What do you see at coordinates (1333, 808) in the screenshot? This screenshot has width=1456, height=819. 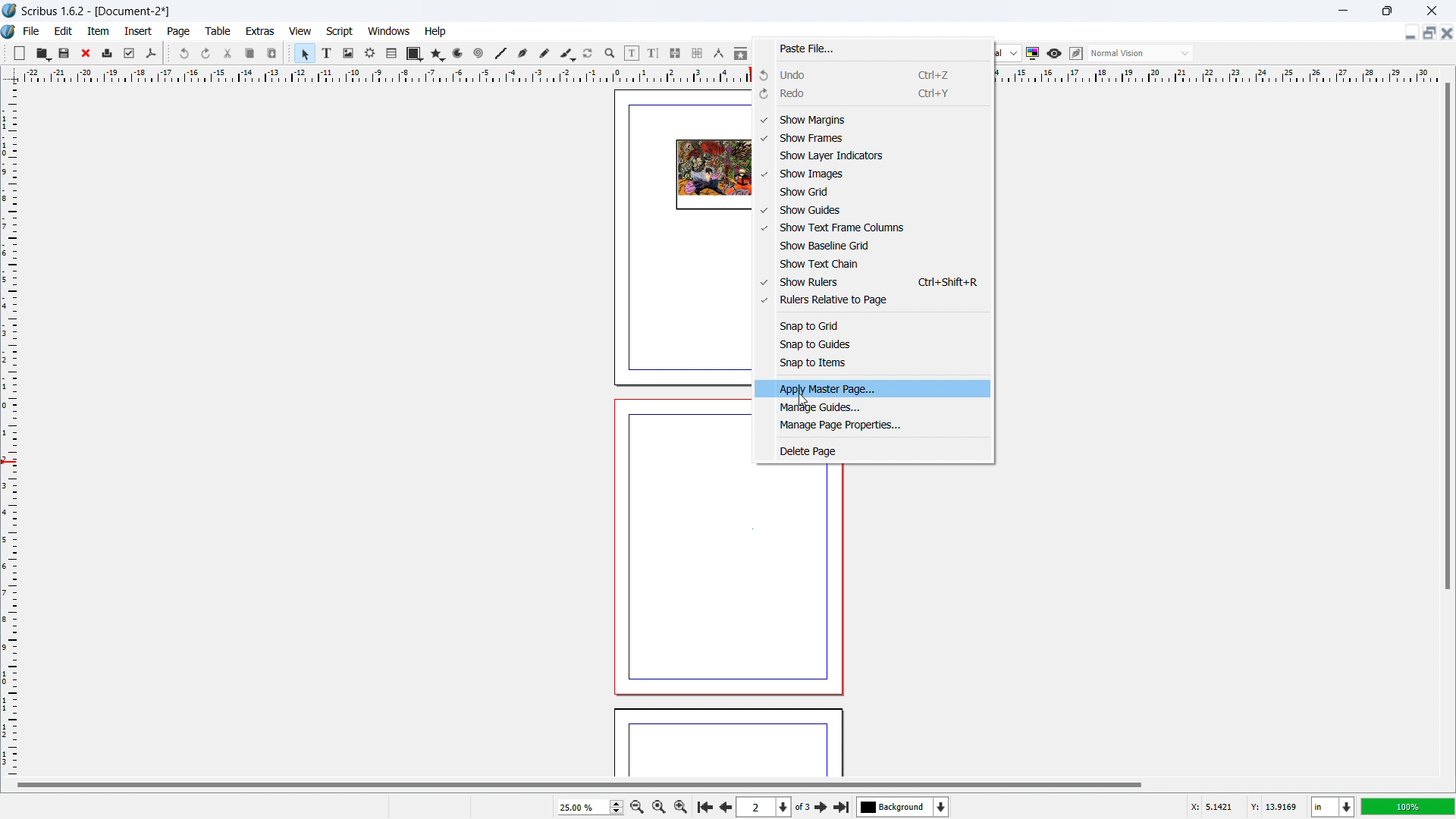 I see `unit of measurement` at bounding box center [1333, 808].